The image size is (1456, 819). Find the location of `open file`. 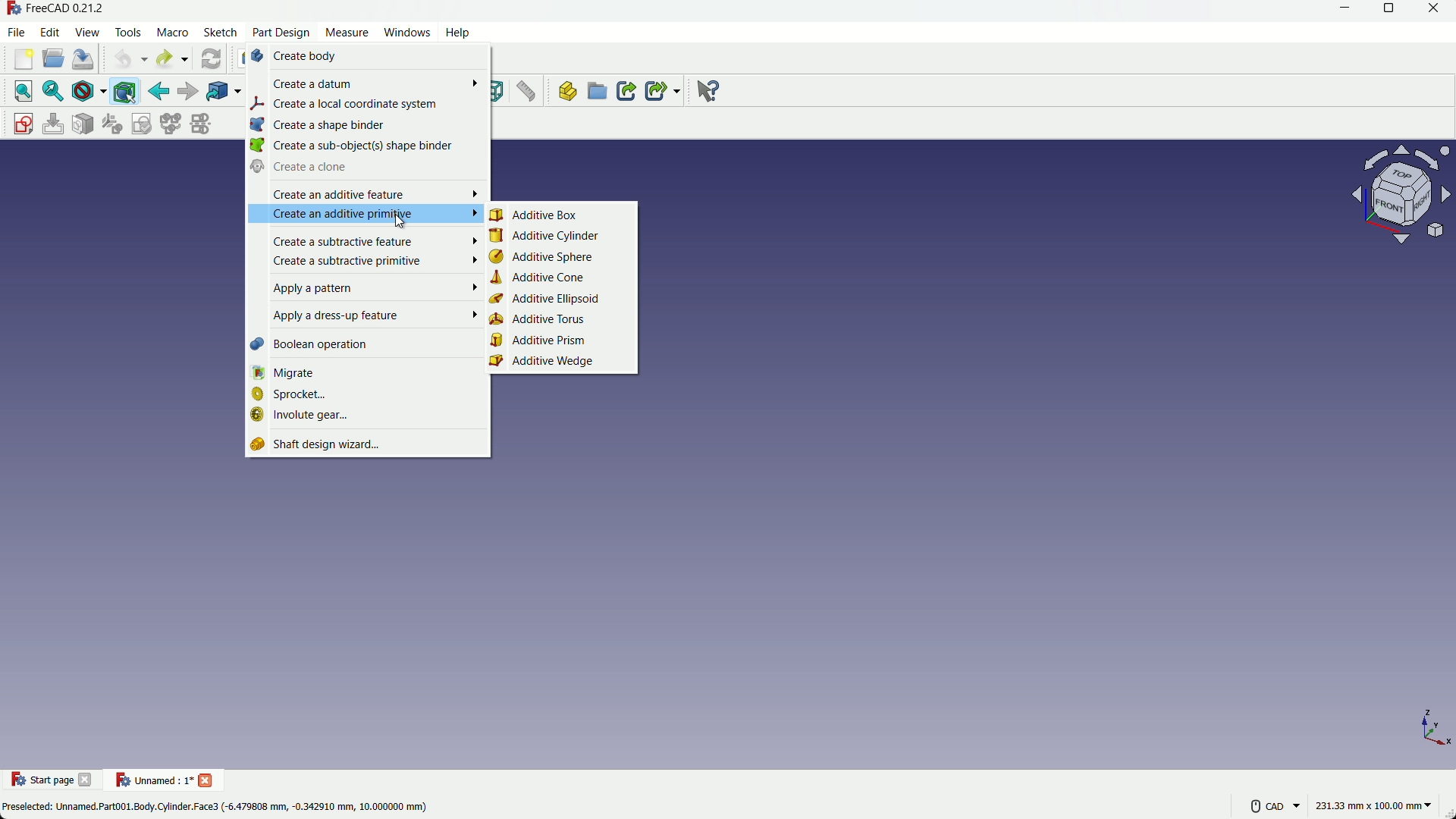

open file is located at coordinates (54, 58).